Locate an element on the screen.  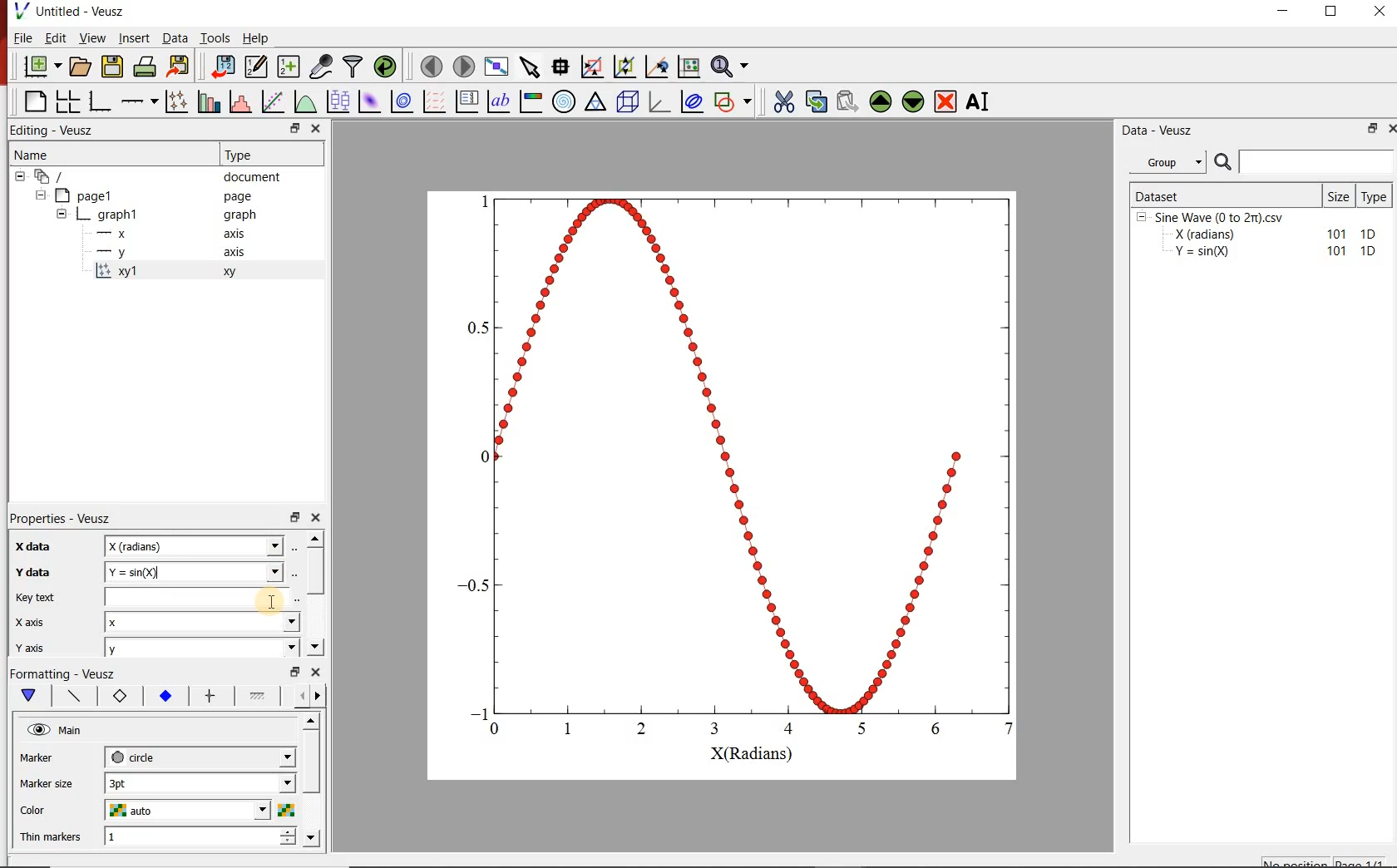
3d graph is located at coordinates (659, 101).